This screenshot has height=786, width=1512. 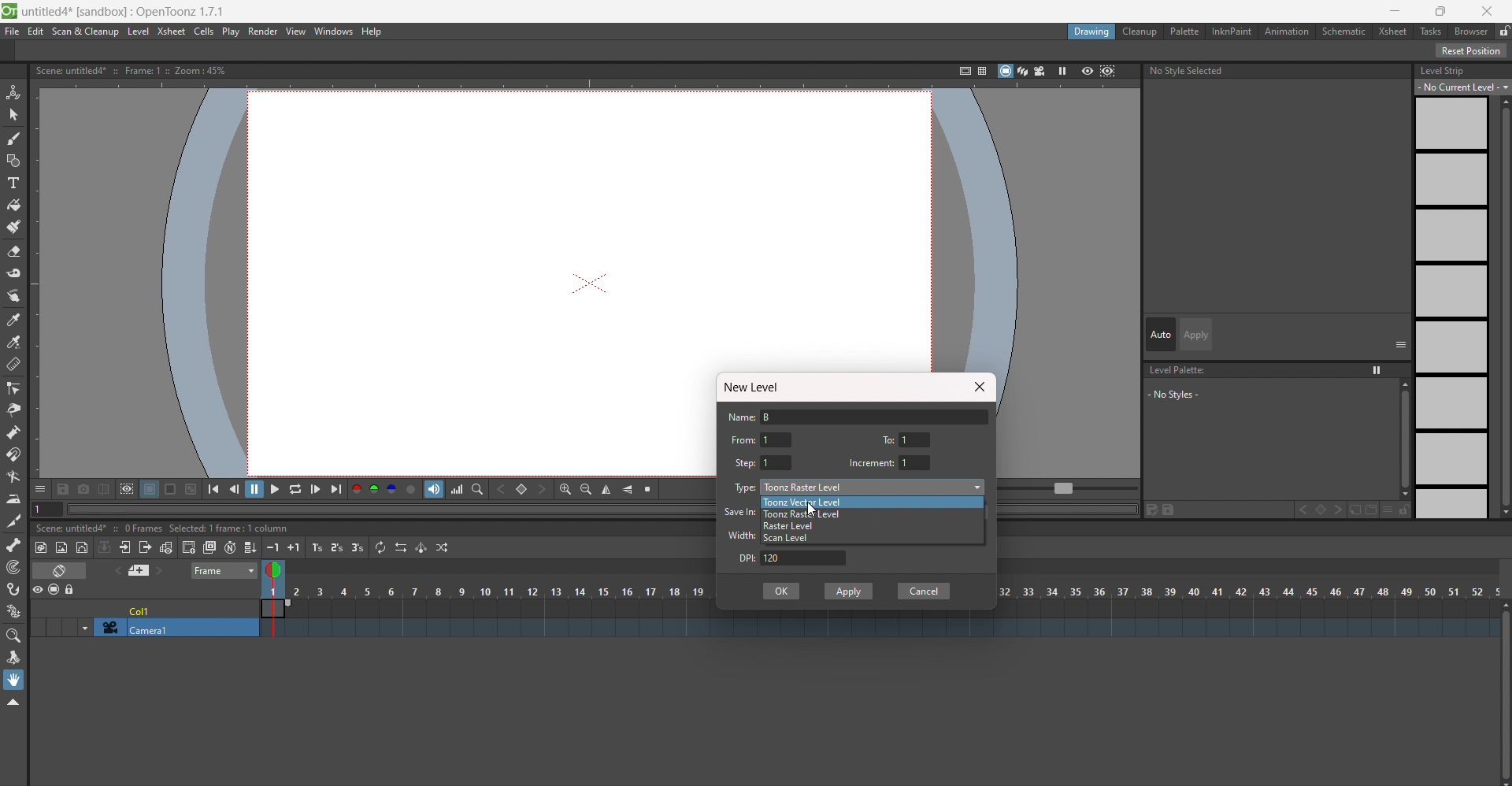 What do you see at coordinates (1503, 307) in the screenshot?
I see `Scroll bar` at bounding box center [1503, 307].